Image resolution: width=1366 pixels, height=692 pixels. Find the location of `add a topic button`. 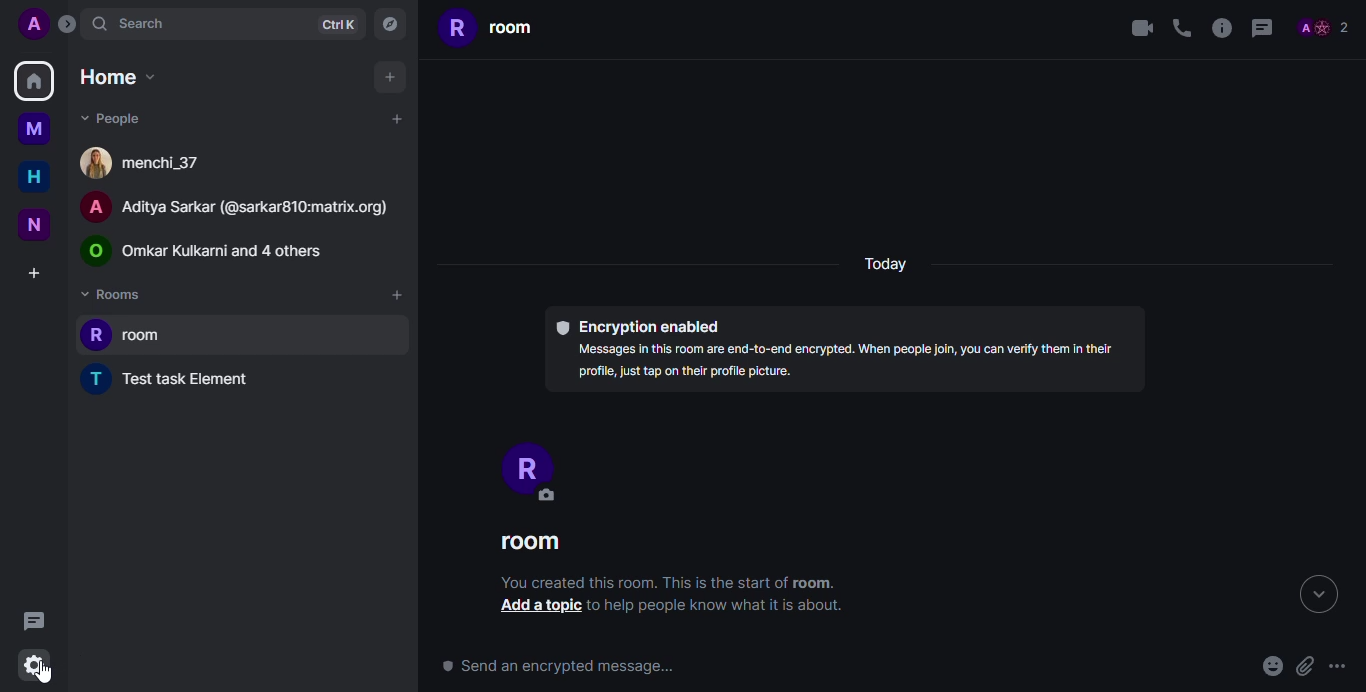

add a topic button is located at coordinates (538, 605).